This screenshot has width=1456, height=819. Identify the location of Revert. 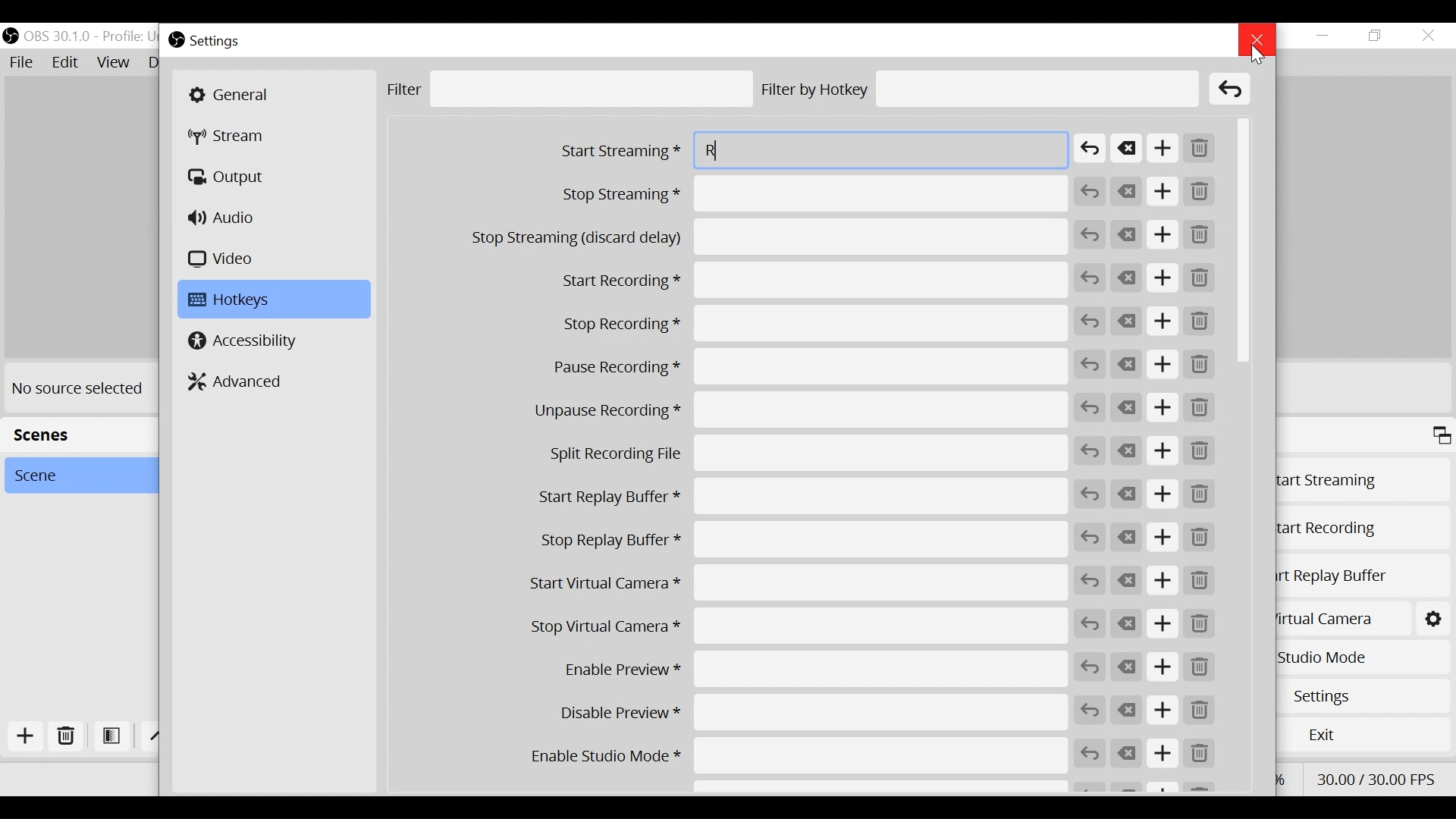
(1090, 366).